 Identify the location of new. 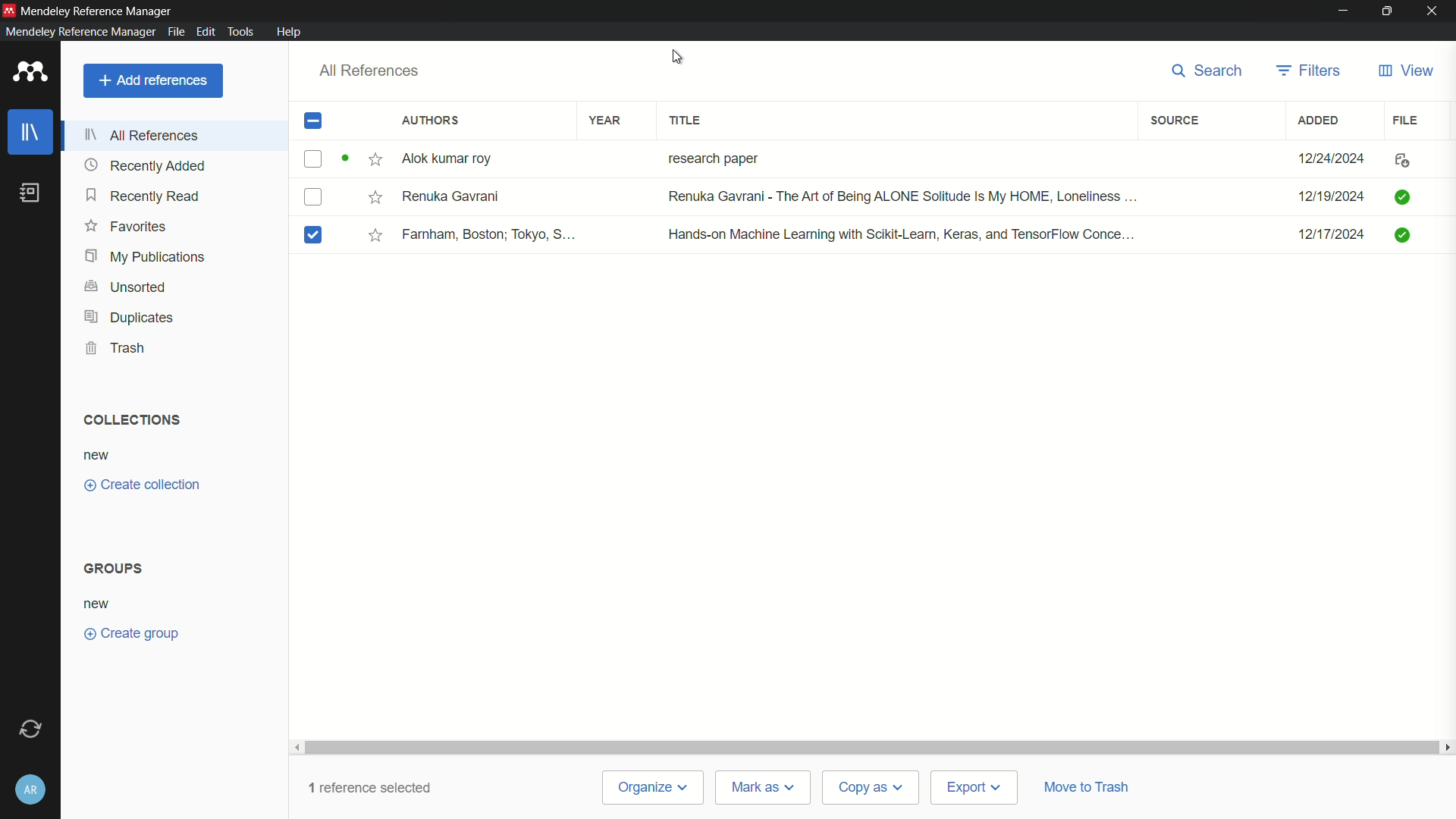
(99, 604).